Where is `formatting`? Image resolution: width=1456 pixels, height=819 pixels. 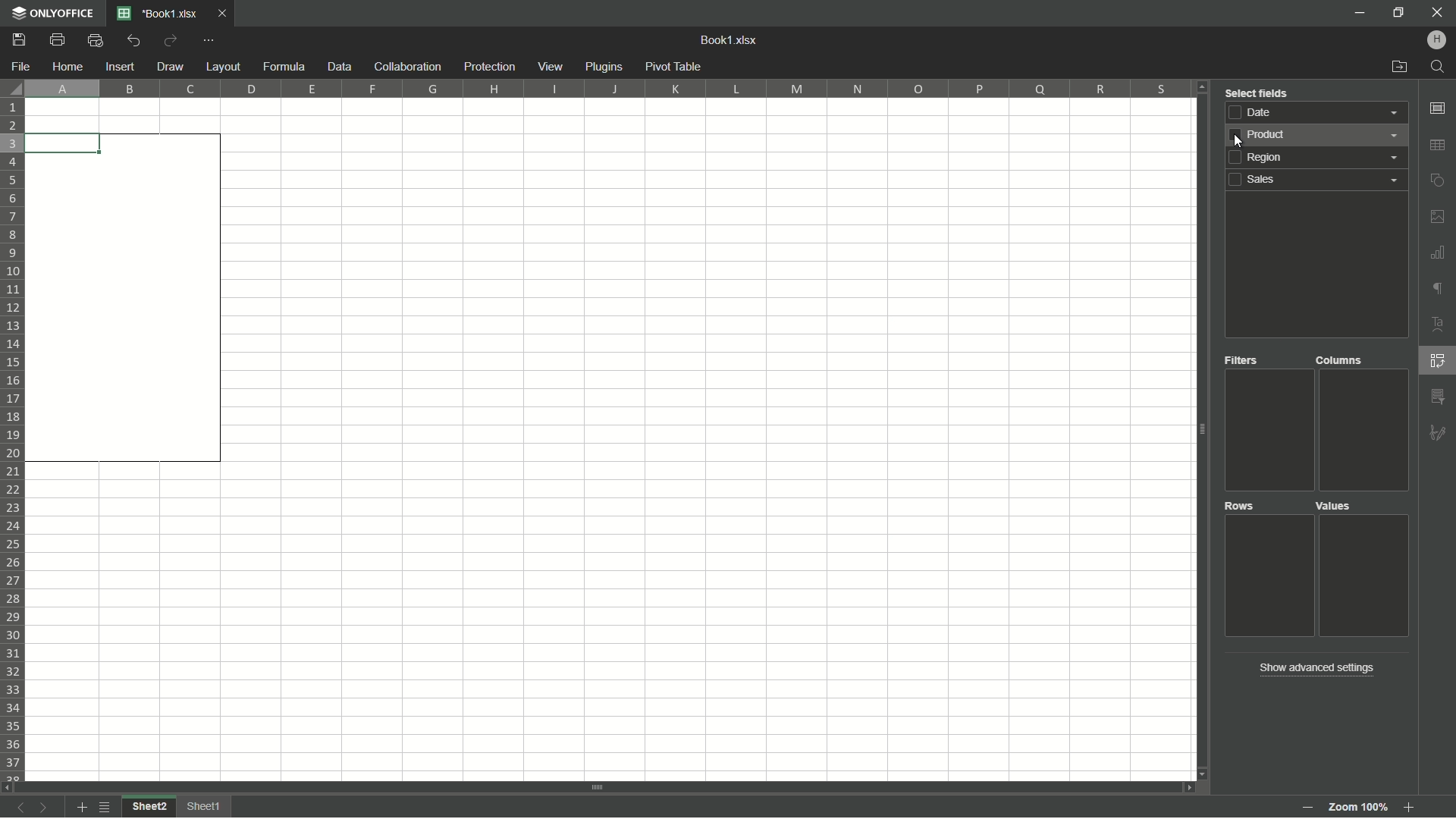
formatting is located at coordinates (1438, 431).